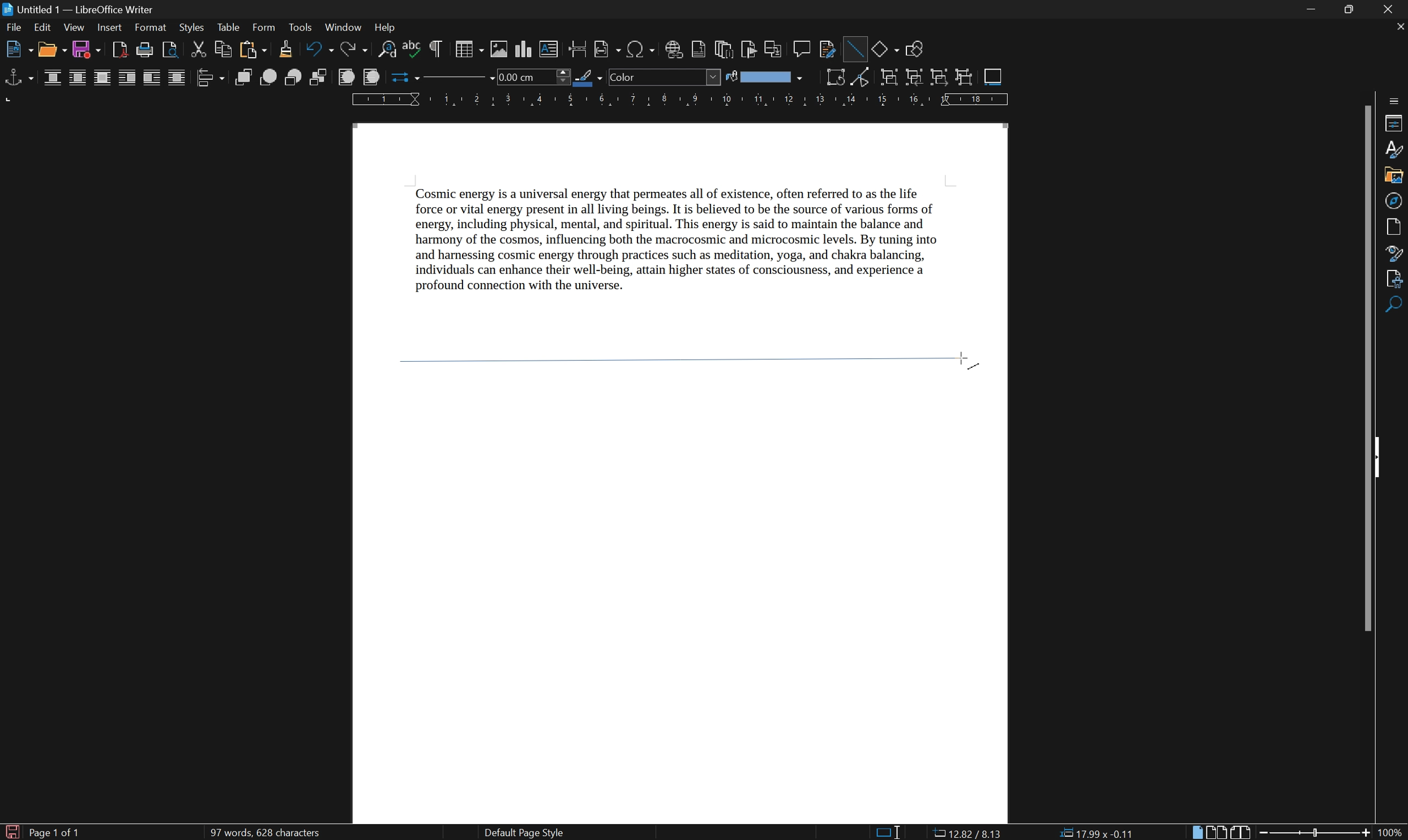 This screenshot has width=1408, height=840. What do you see at coordinates (836, 77) in the screenshot?
I see `rotate` at bounding box center [836, 77].